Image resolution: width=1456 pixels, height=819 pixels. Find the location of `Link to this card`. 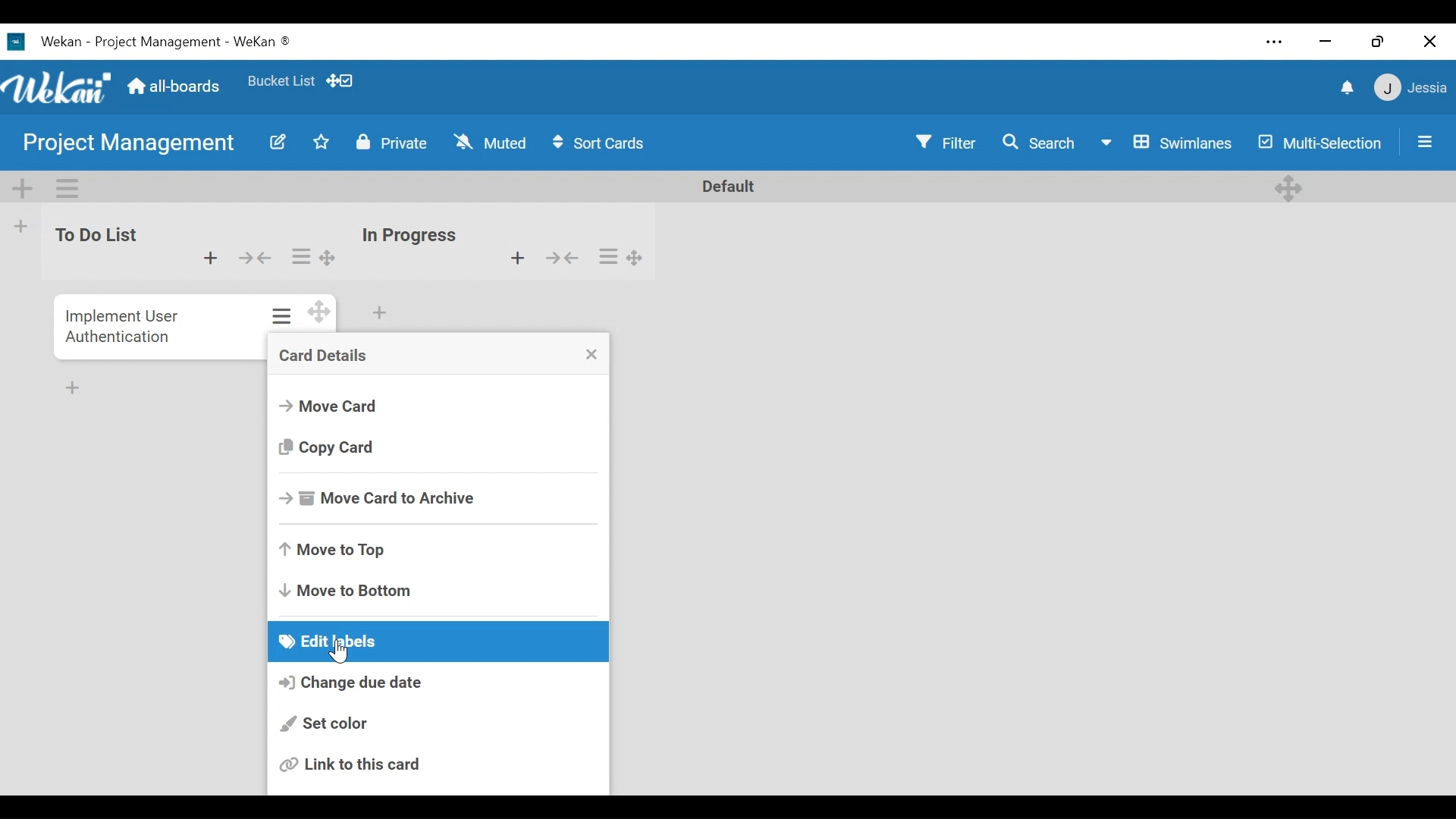

Link to this card is located at coordinates (353, 767).